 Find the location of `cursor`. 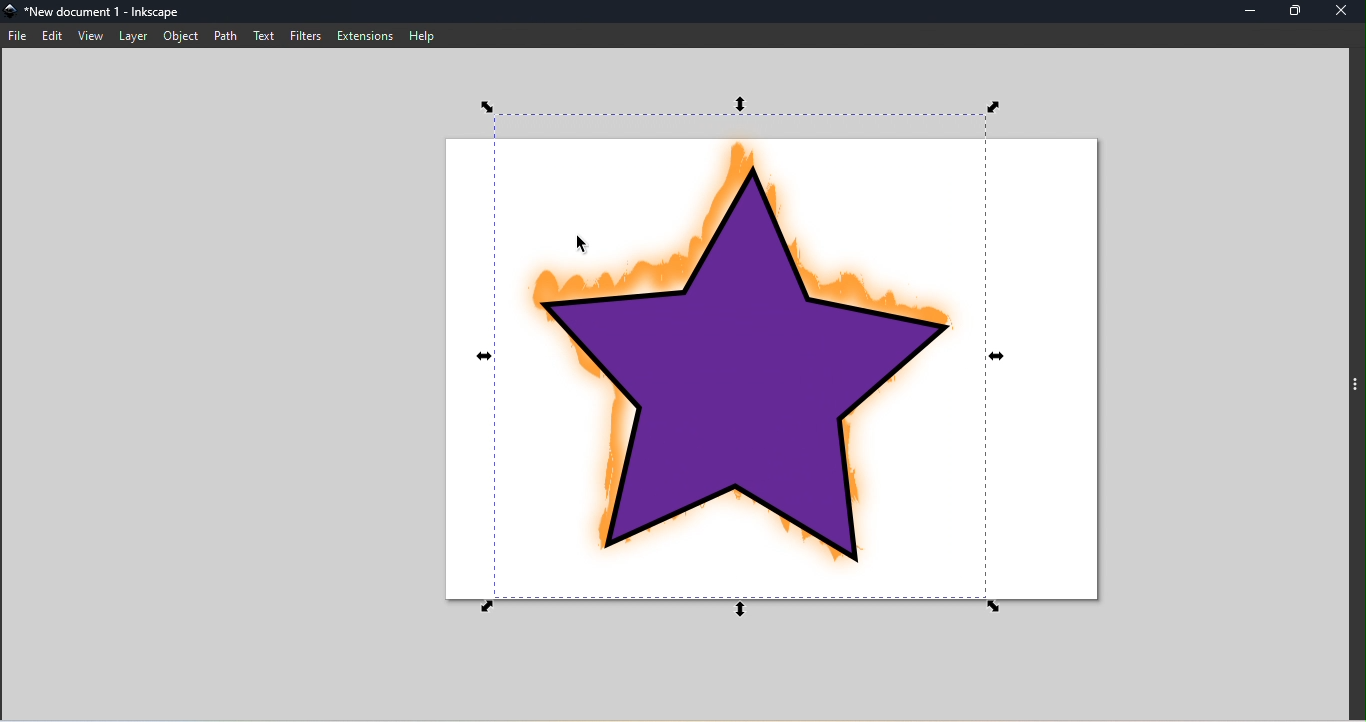

cursor is located at coordinates (575, 236).